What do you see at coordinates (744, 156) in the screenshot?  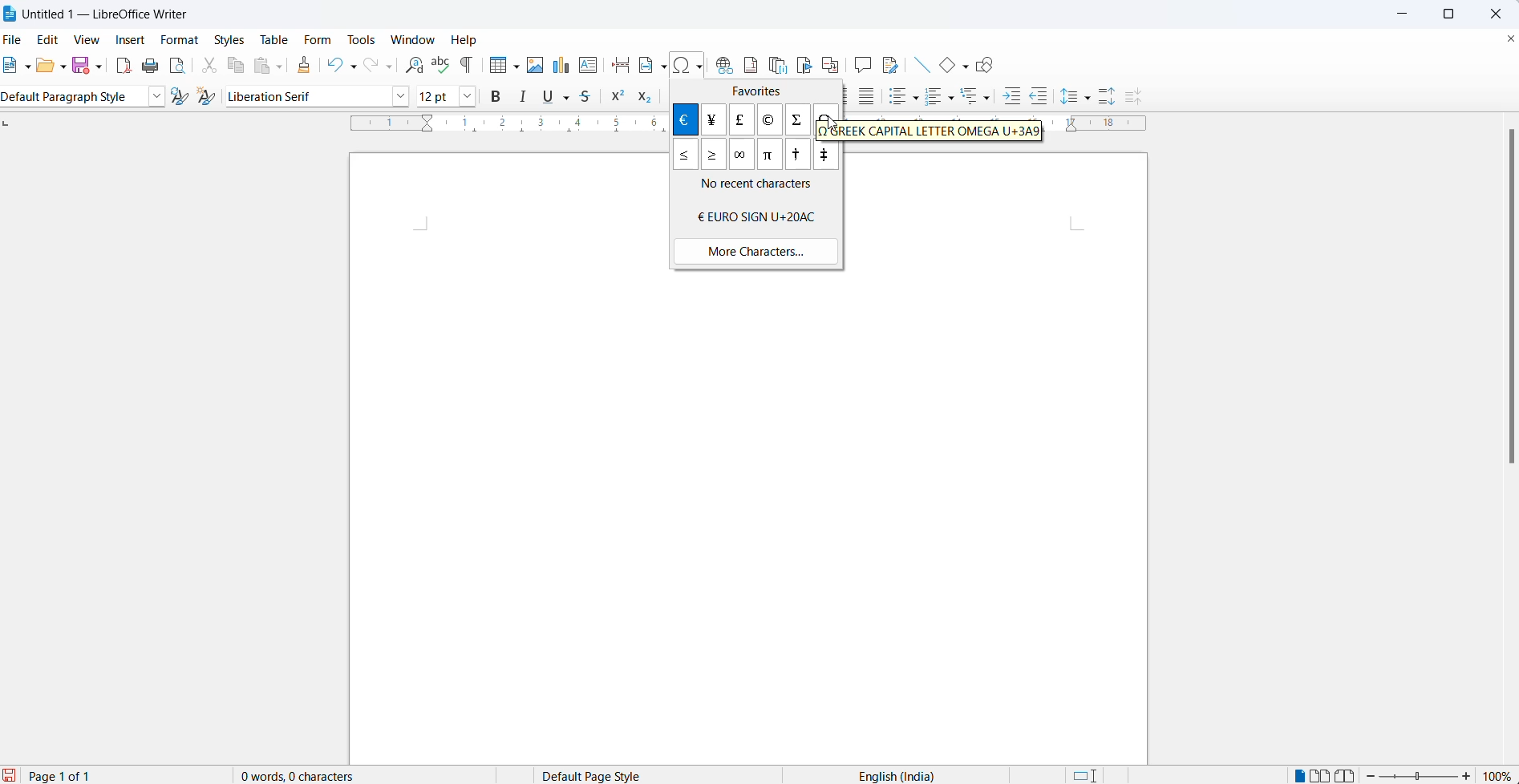 I see `infinity` at bounding box center [744, 156].